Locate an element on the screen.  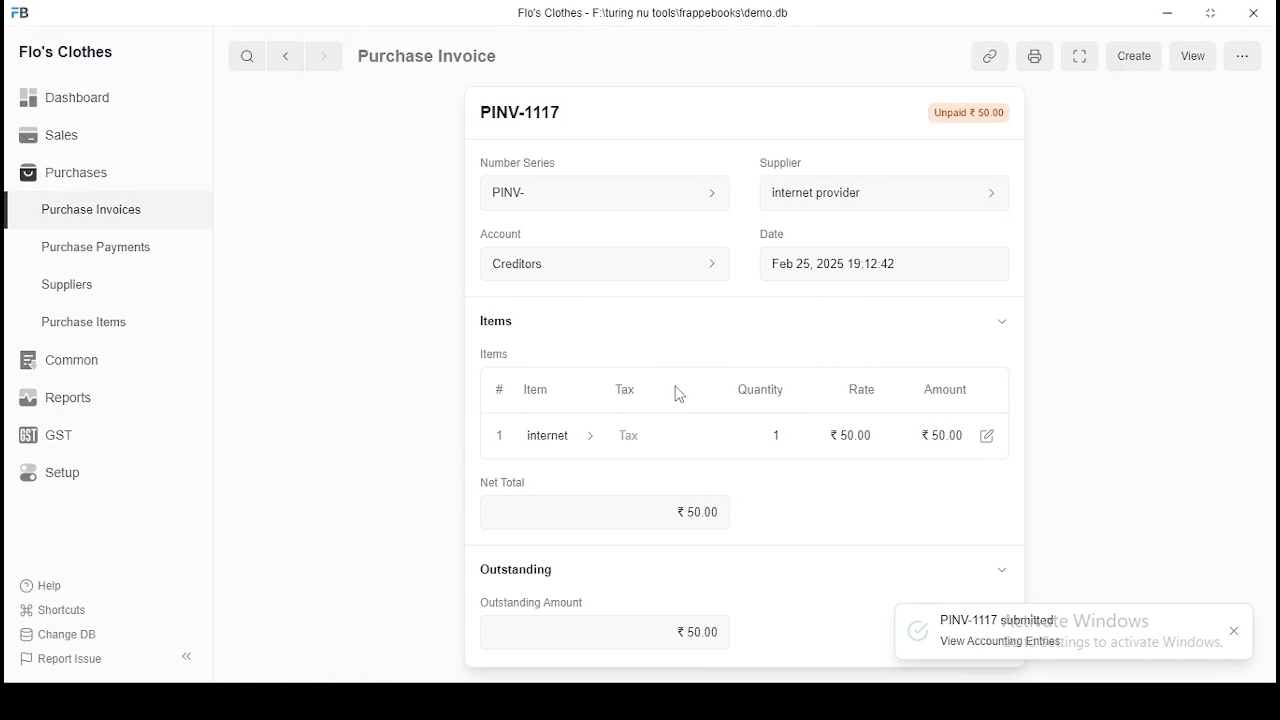
Date is located at coordinates (770, 235).